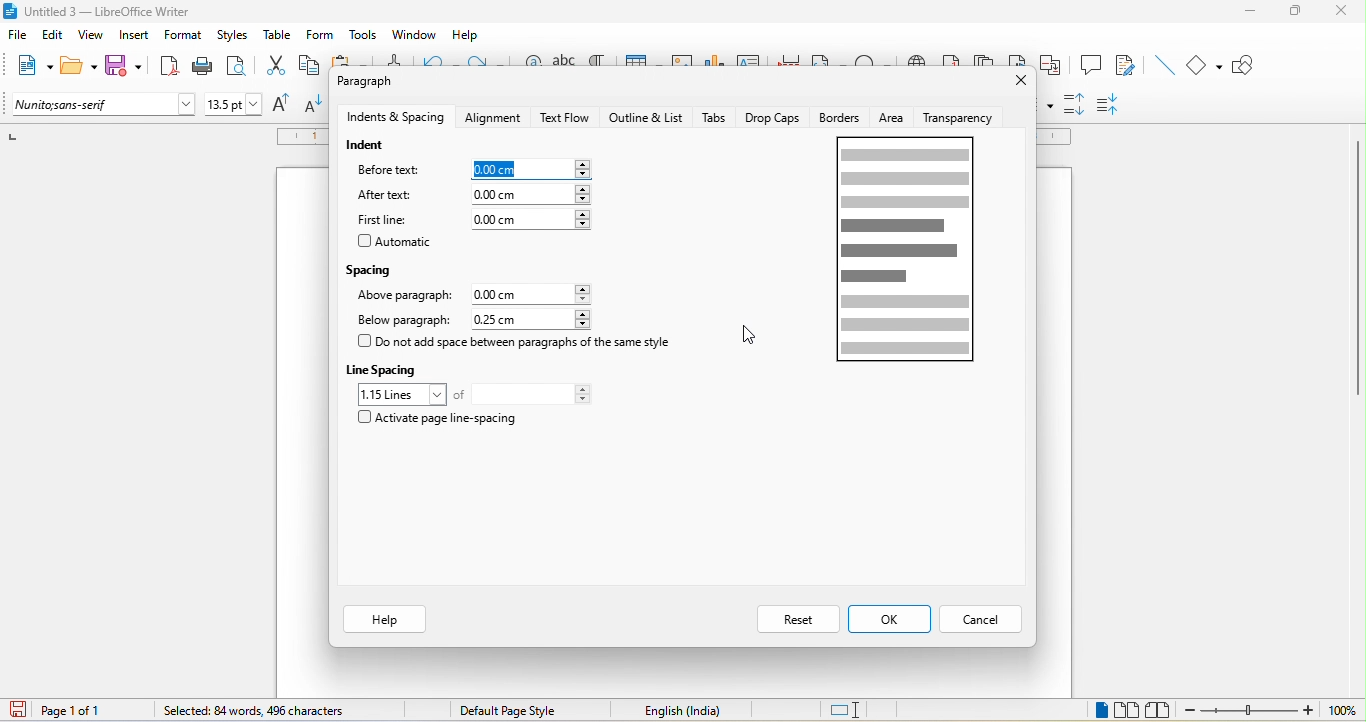  What do you see at coordinates (319, 34) in the screenshot?
I see `form` at bounding box center [319, 34].